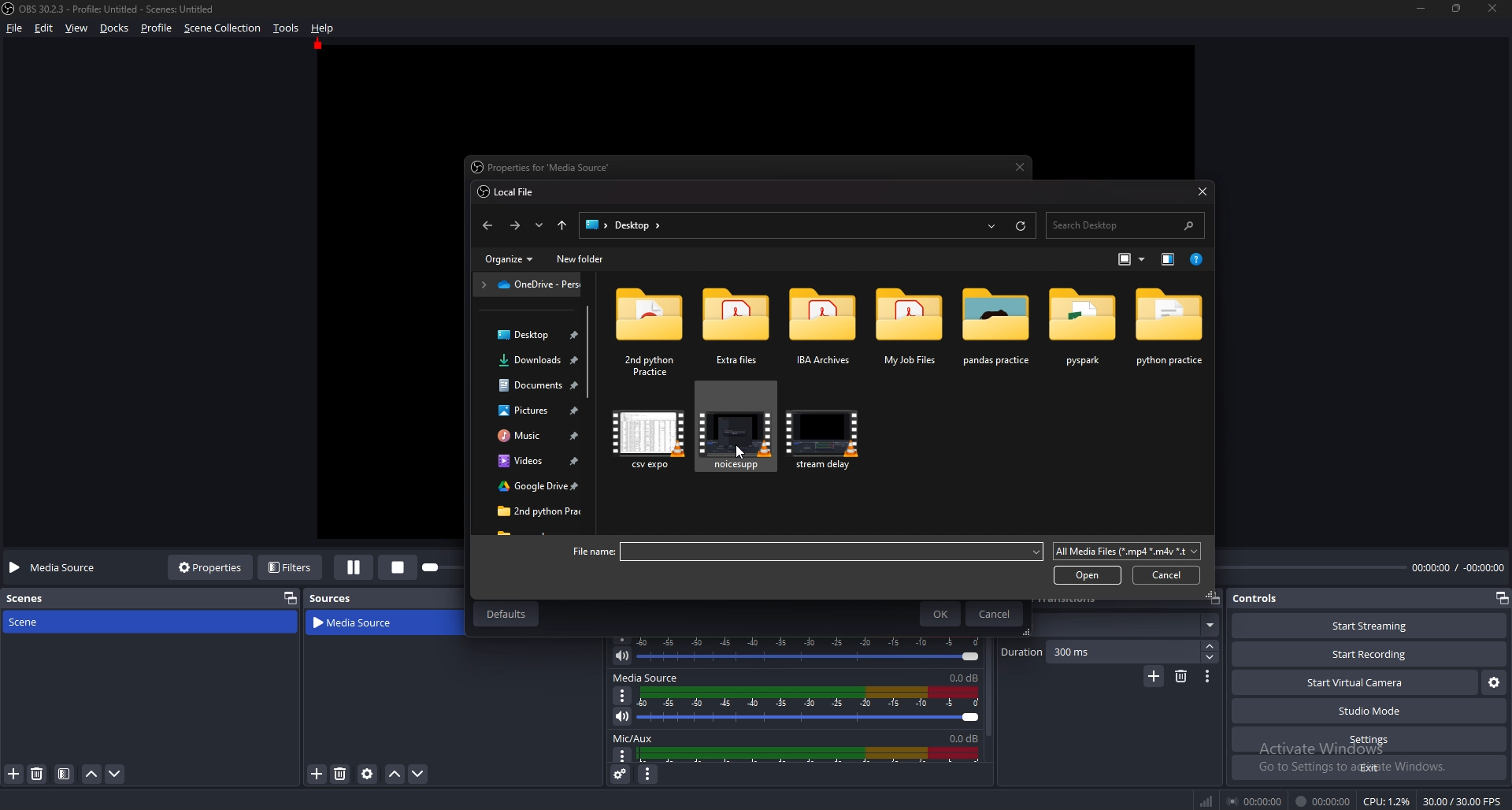  I want to click on Advanced audio properties, so click(622, 774).